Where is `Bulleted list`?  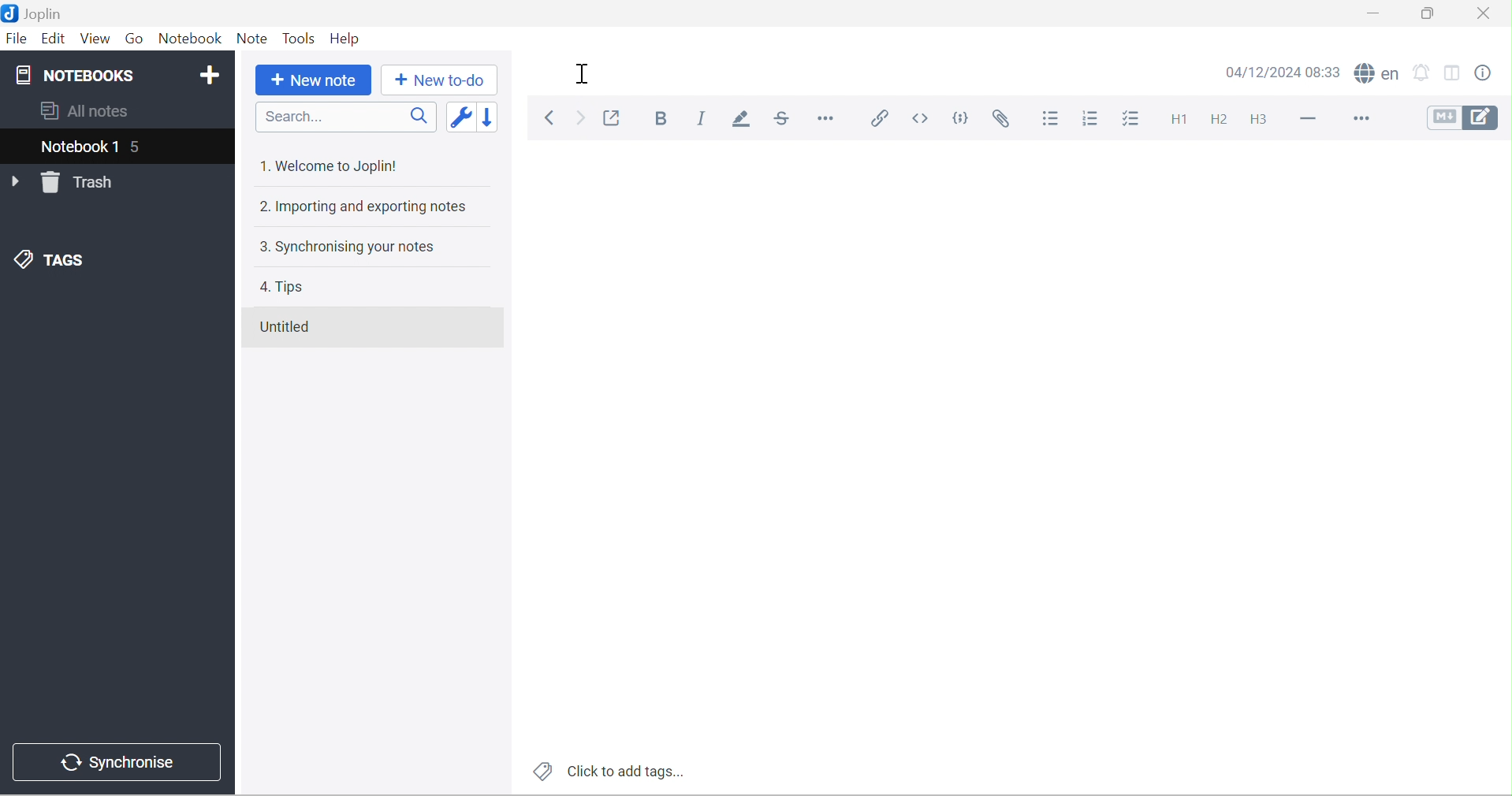 Bulleted list is located at coordinates (1056, 121).